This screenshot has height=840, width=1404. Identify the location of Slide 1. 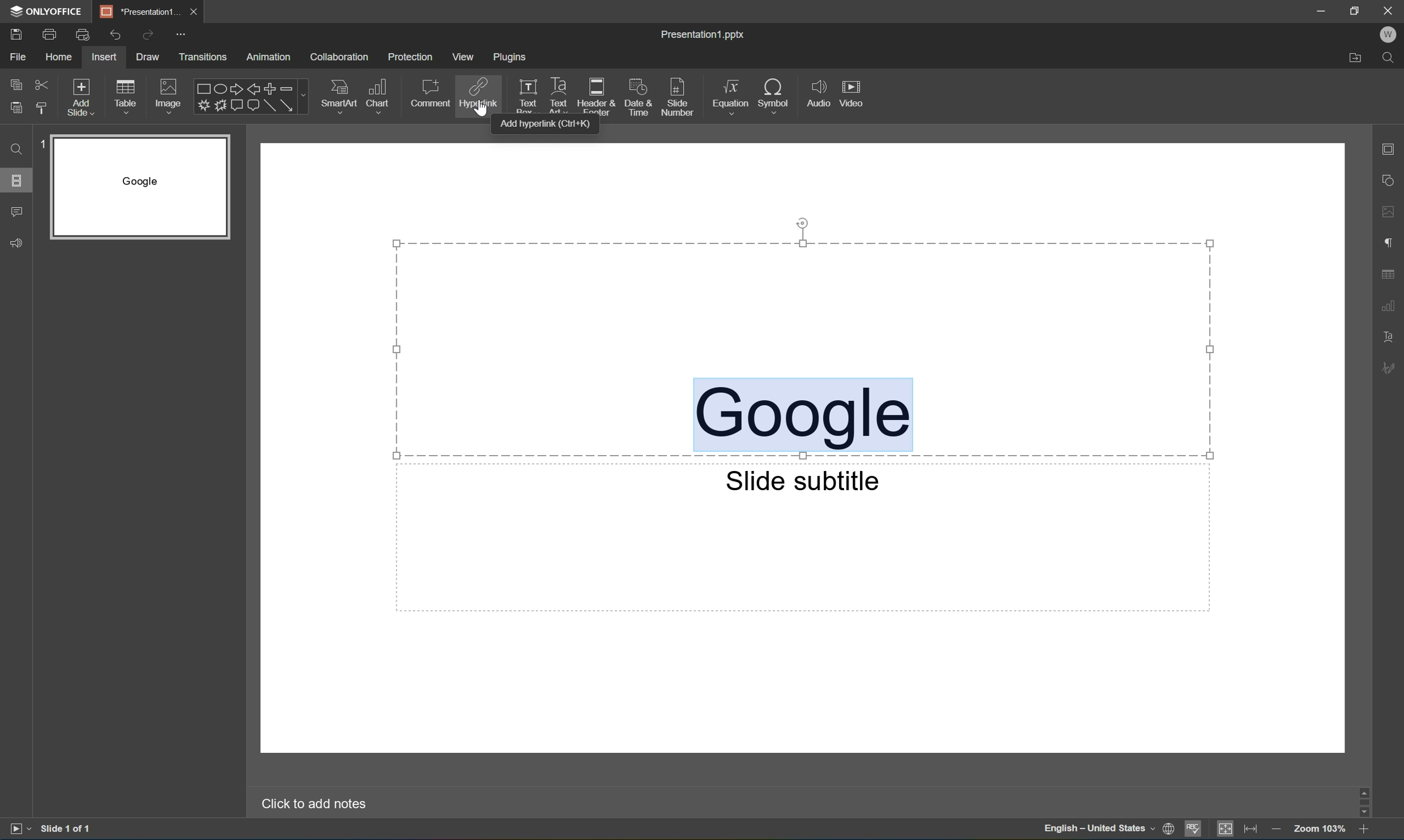
(132, 187).